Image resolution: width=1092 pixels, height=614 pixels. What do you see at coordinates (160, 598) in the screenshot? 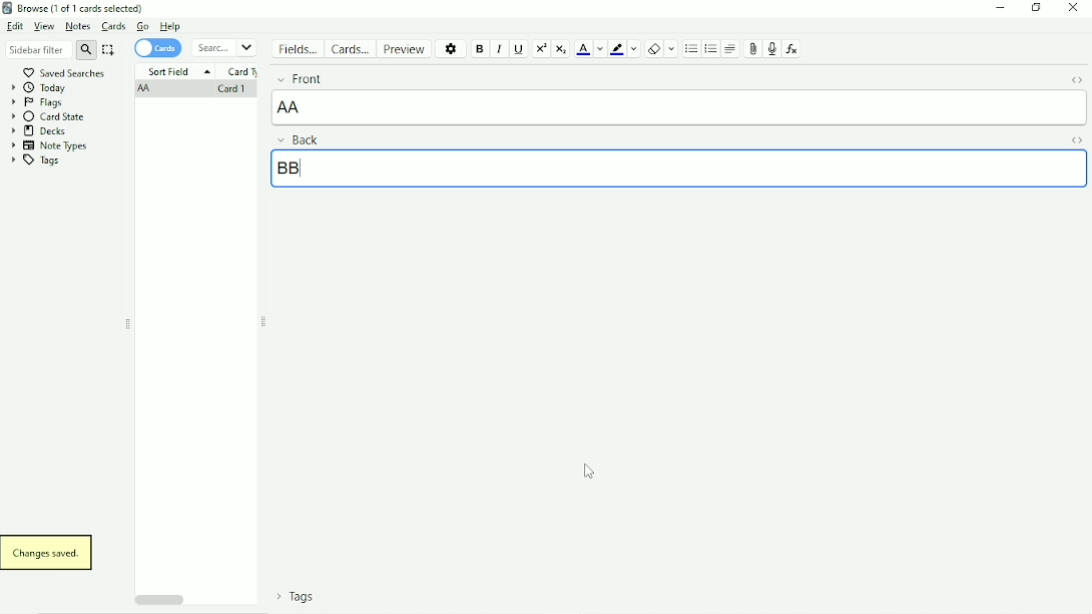
I see `Horizontal scrollbar` at bounding box center [160, 598].